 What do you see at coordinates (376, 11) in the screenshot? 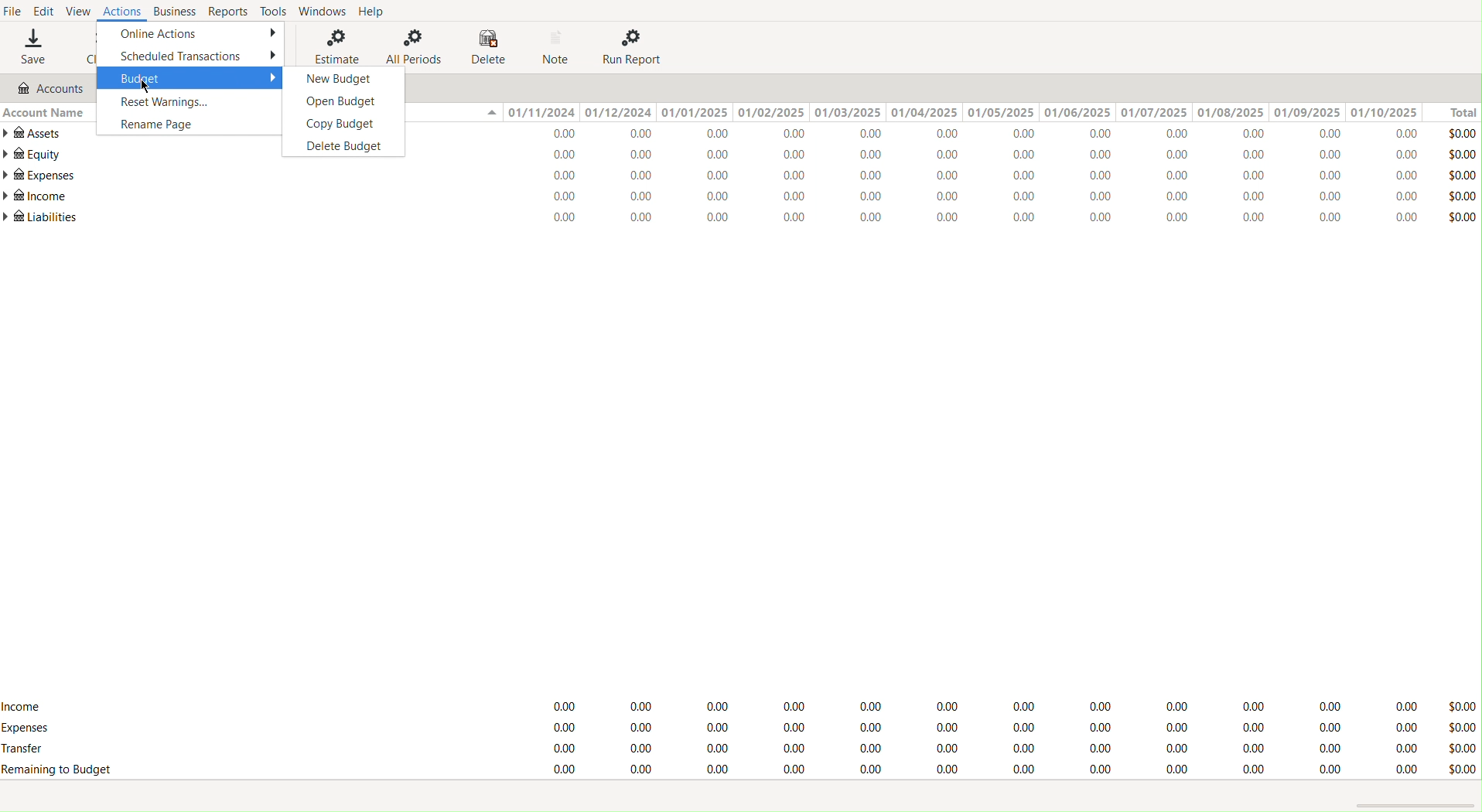
I see `Help` at bounding box center [376, 11].